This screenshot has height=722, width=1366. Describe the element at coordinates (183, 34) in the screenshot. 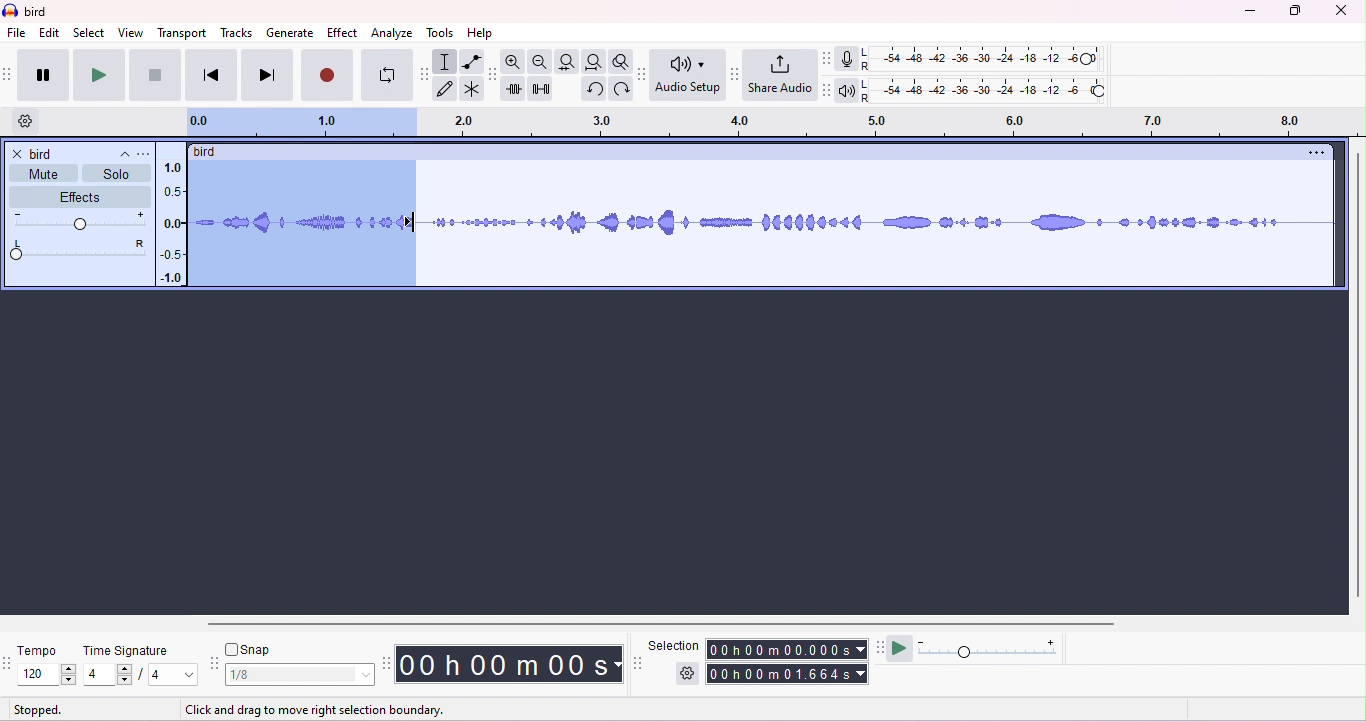

I see `transport` at that location.